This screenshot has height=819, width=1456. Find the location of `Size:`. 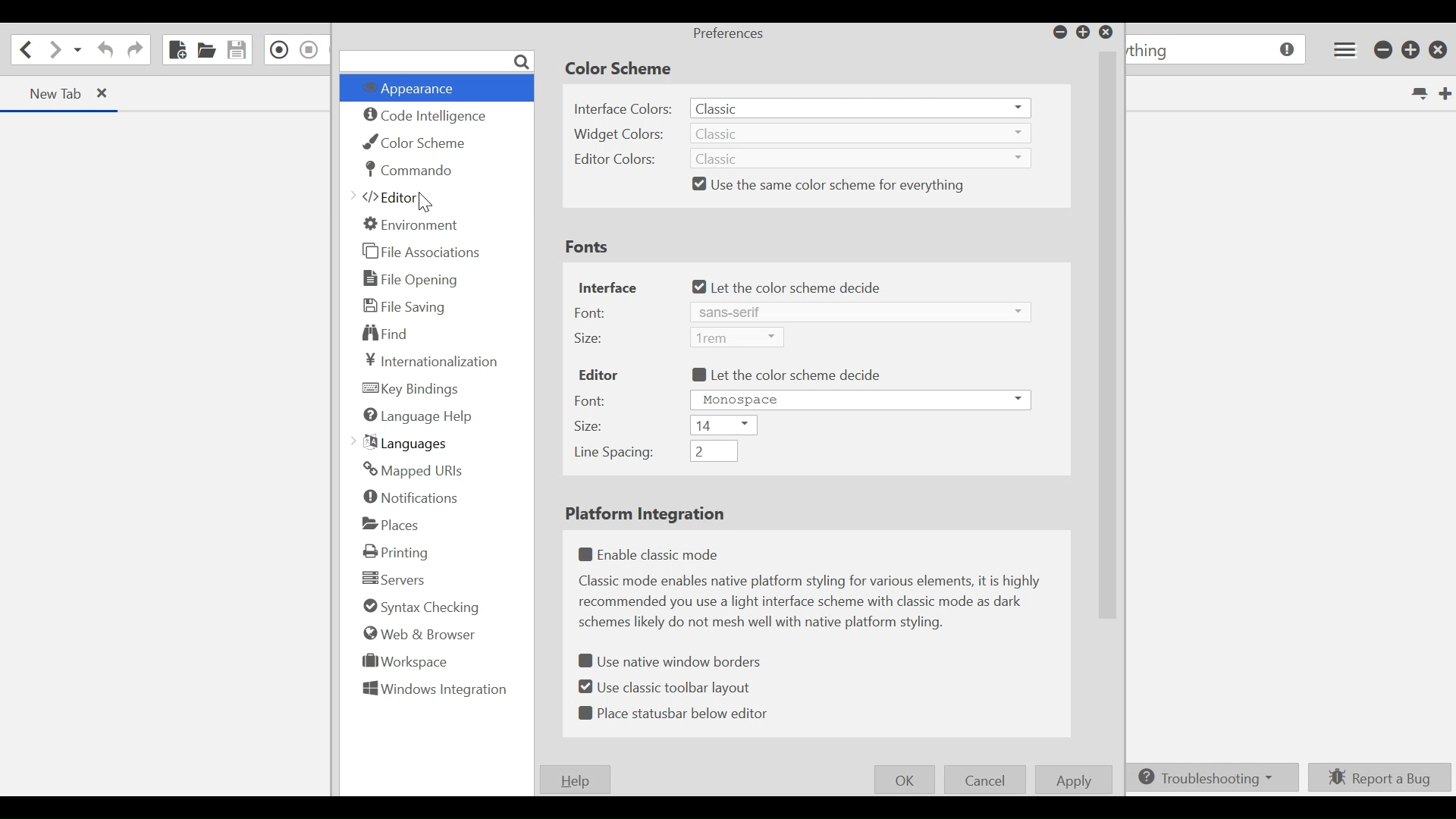

Size: is located at coordinates (590, 427).